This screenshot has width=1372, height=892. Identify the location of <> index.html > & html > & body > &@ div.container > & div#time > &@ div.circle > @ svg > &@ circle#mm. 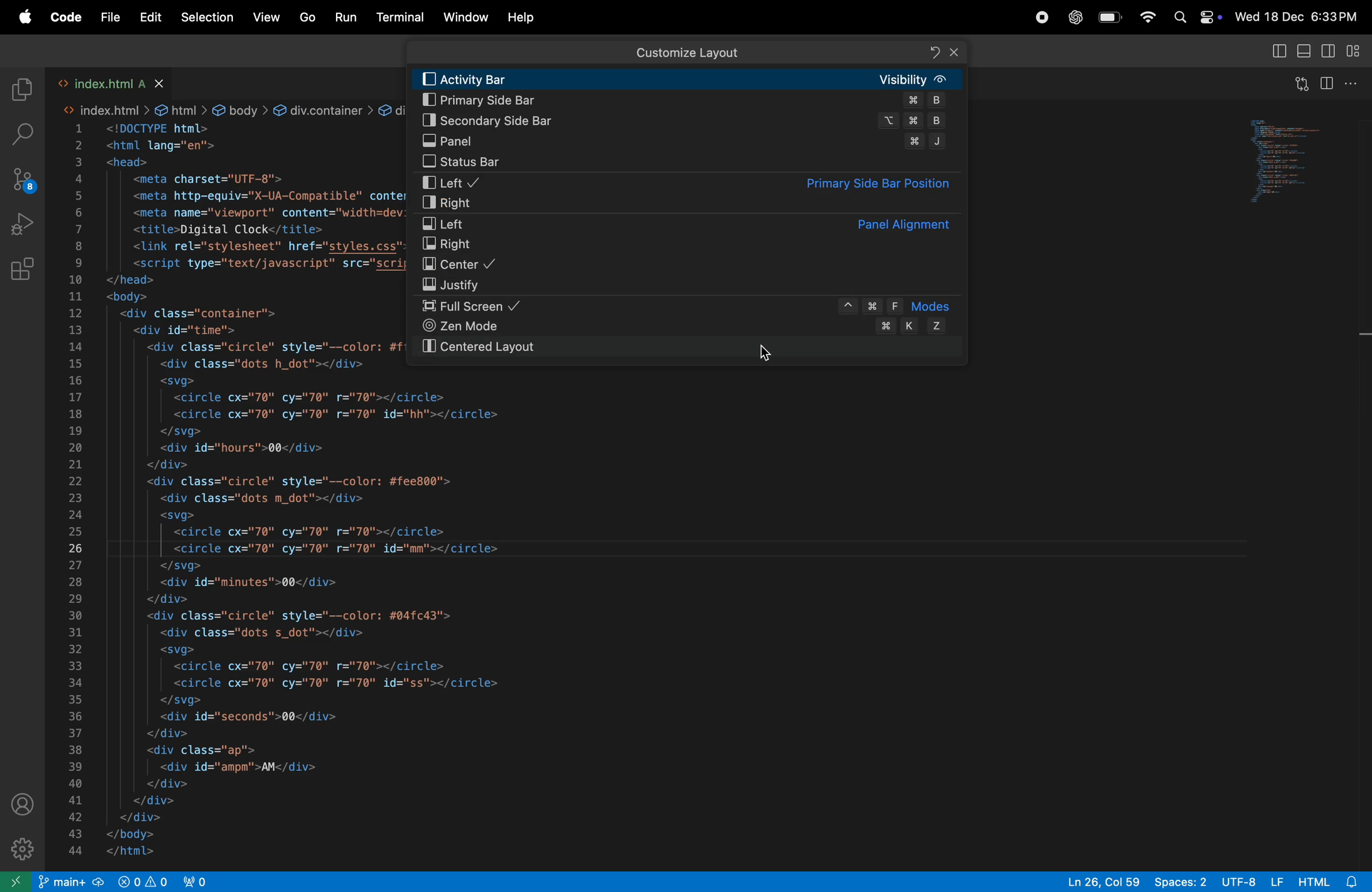
(236, 108).